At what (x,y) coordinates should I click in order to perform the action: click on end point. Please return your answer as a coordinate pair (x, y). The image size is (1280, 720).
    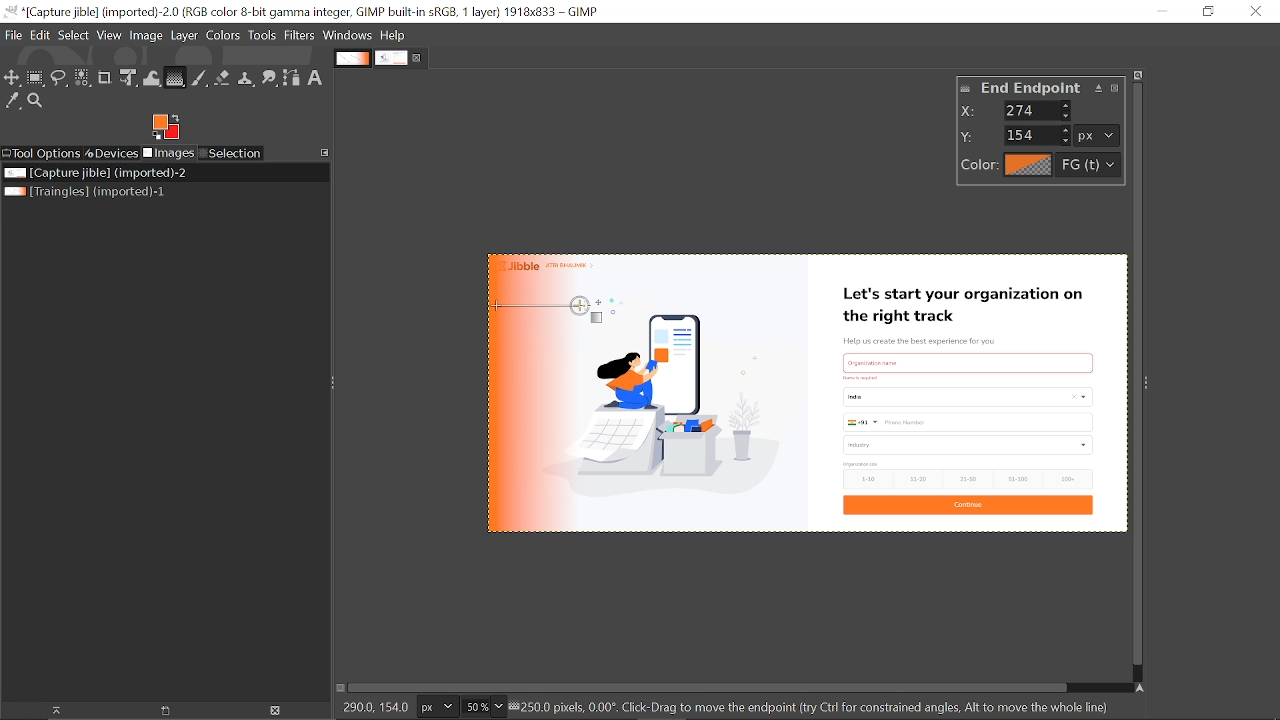
    Looking at the image, I should click on (1044, 89).